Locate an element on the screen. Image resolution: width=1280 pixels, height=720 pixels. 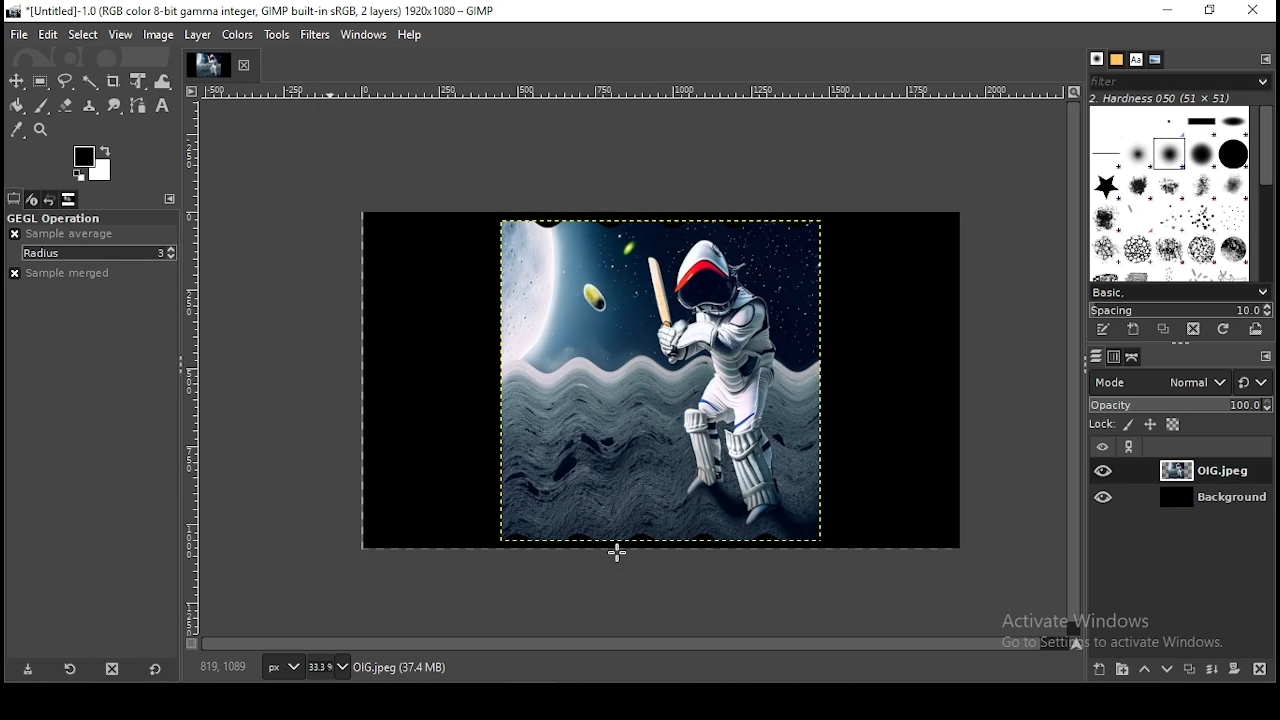
device status is located at coordinates (33, 200).